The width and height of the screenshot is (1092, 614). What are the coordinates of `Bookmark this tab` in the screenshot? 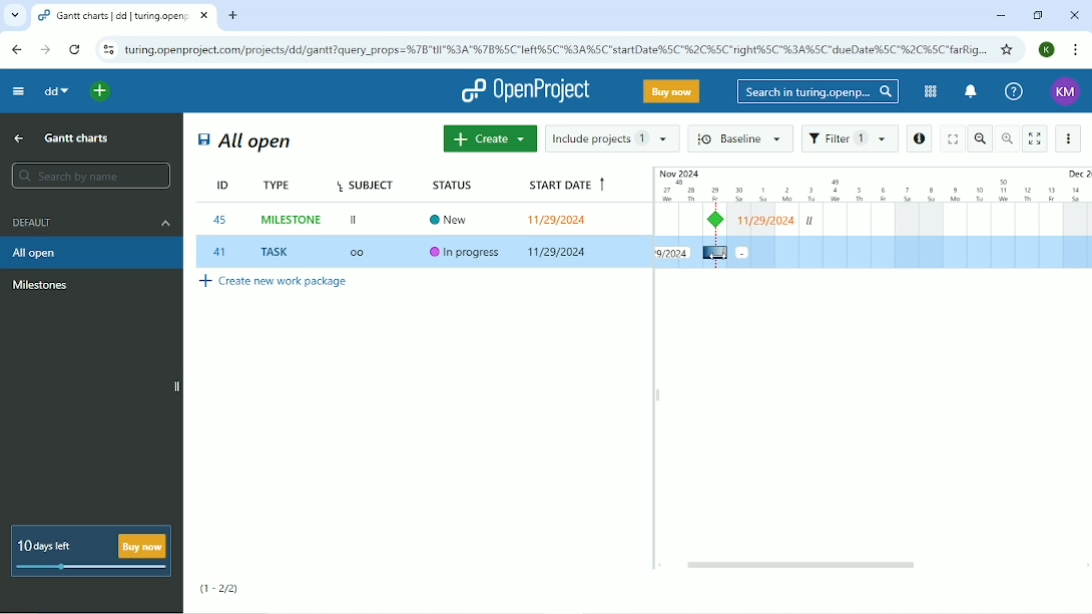 It's located at (1008, 49).